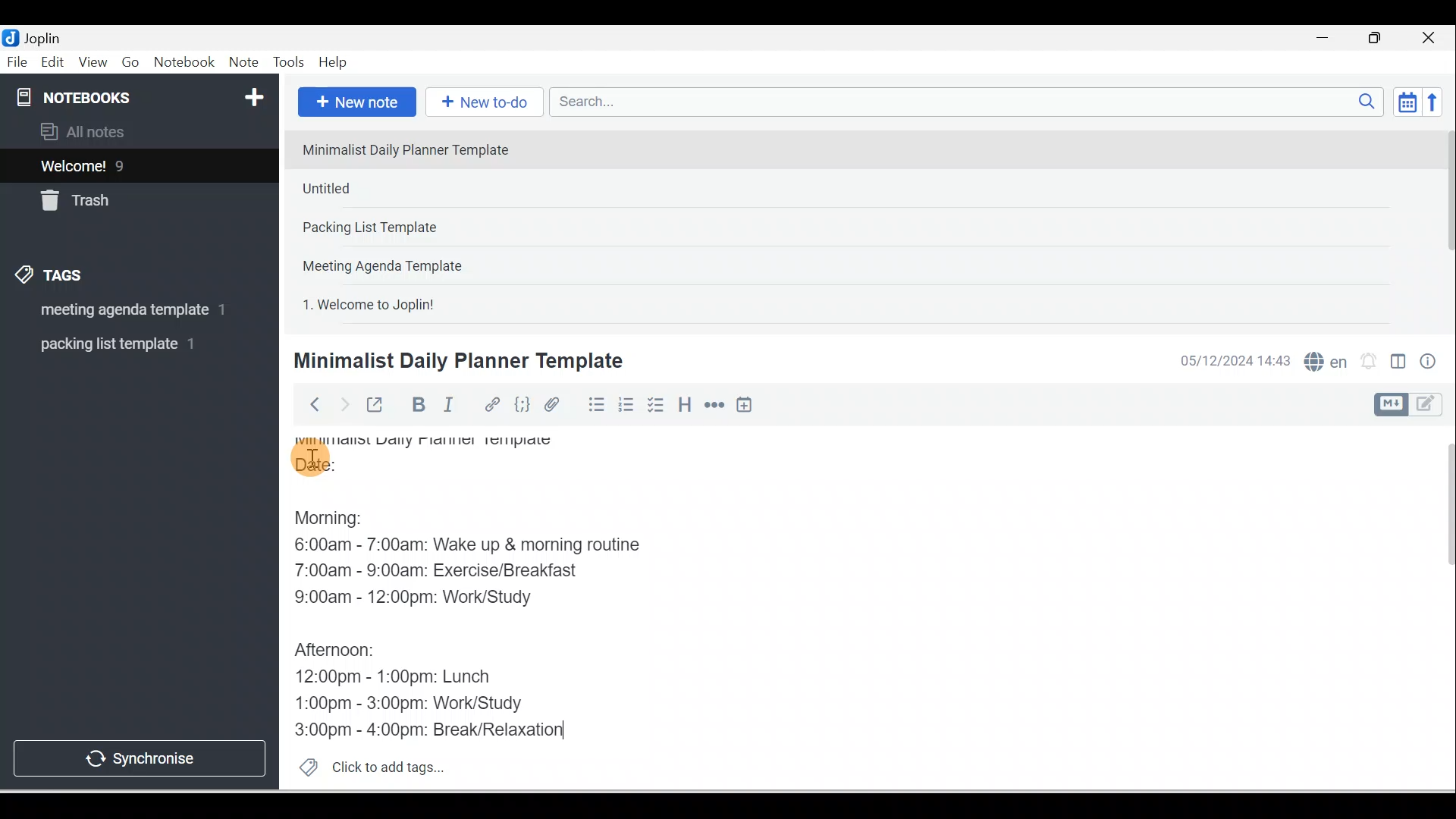  Describe the element at coordinates (458, 730) in the screenshot. I see `3:00pm - 4:00pm: Break/Relaxation` at that location.